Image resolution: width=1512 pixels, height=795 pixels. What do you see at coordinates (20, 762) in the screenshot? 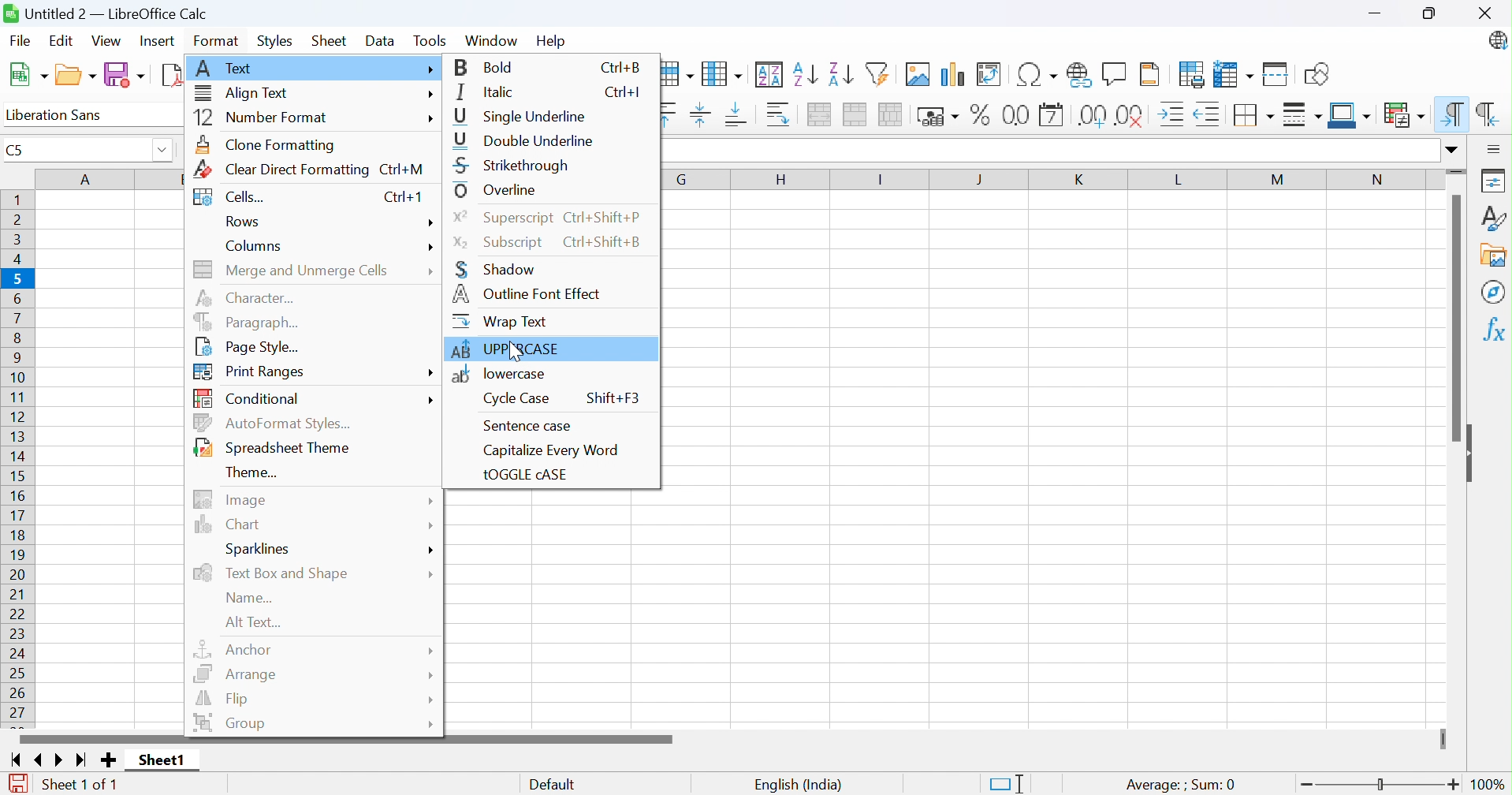
I see `Scroll to first sheet` at bounding box center [20, 762].